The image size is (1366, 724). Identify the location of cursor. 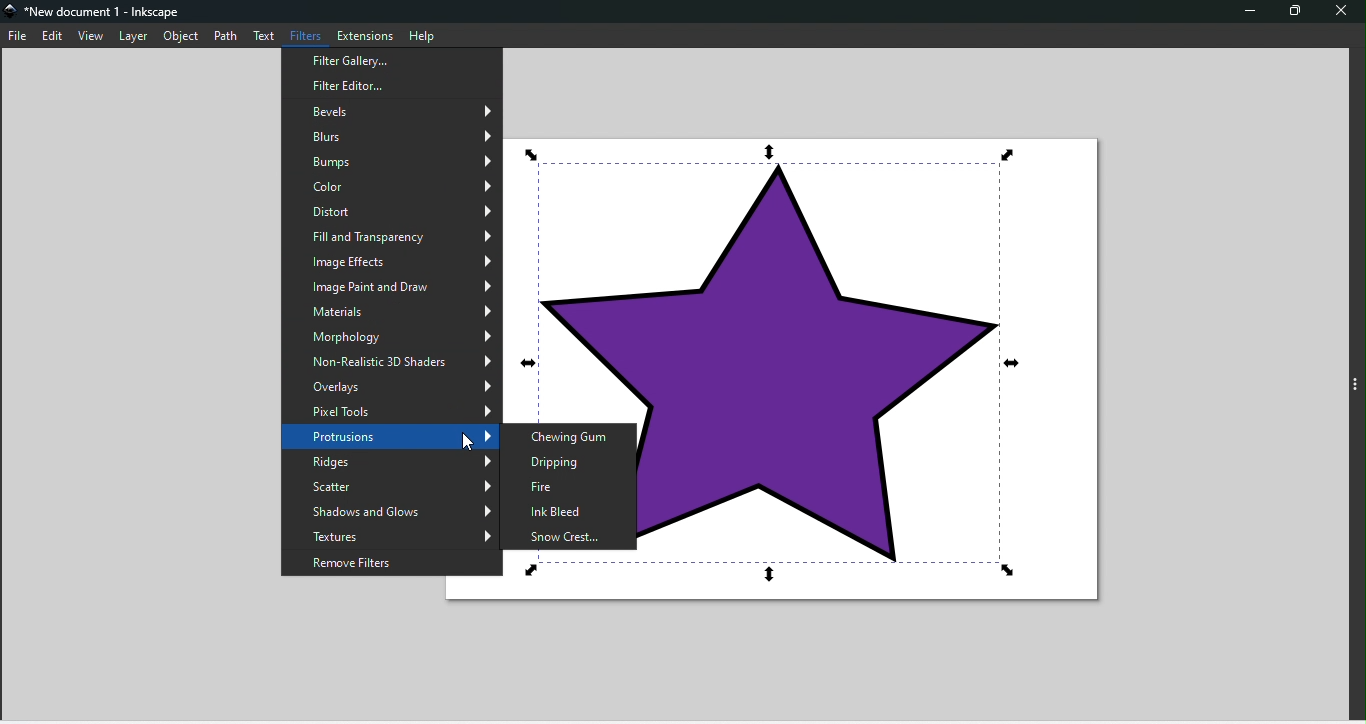
(471, 441).